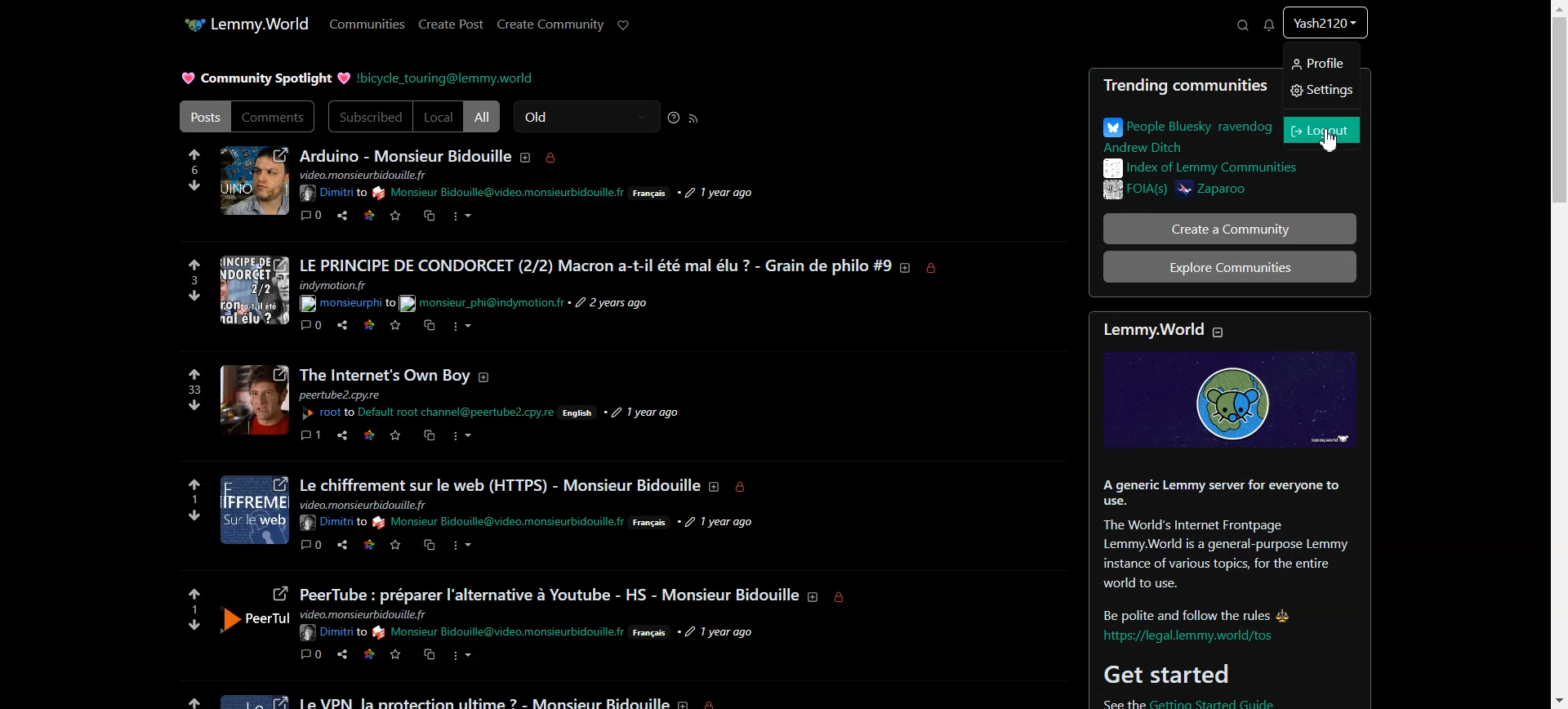 The image size is (1568, 709). Describe the element at coordinates (651, 194) in the screenshot. I see `Francais` at that location.